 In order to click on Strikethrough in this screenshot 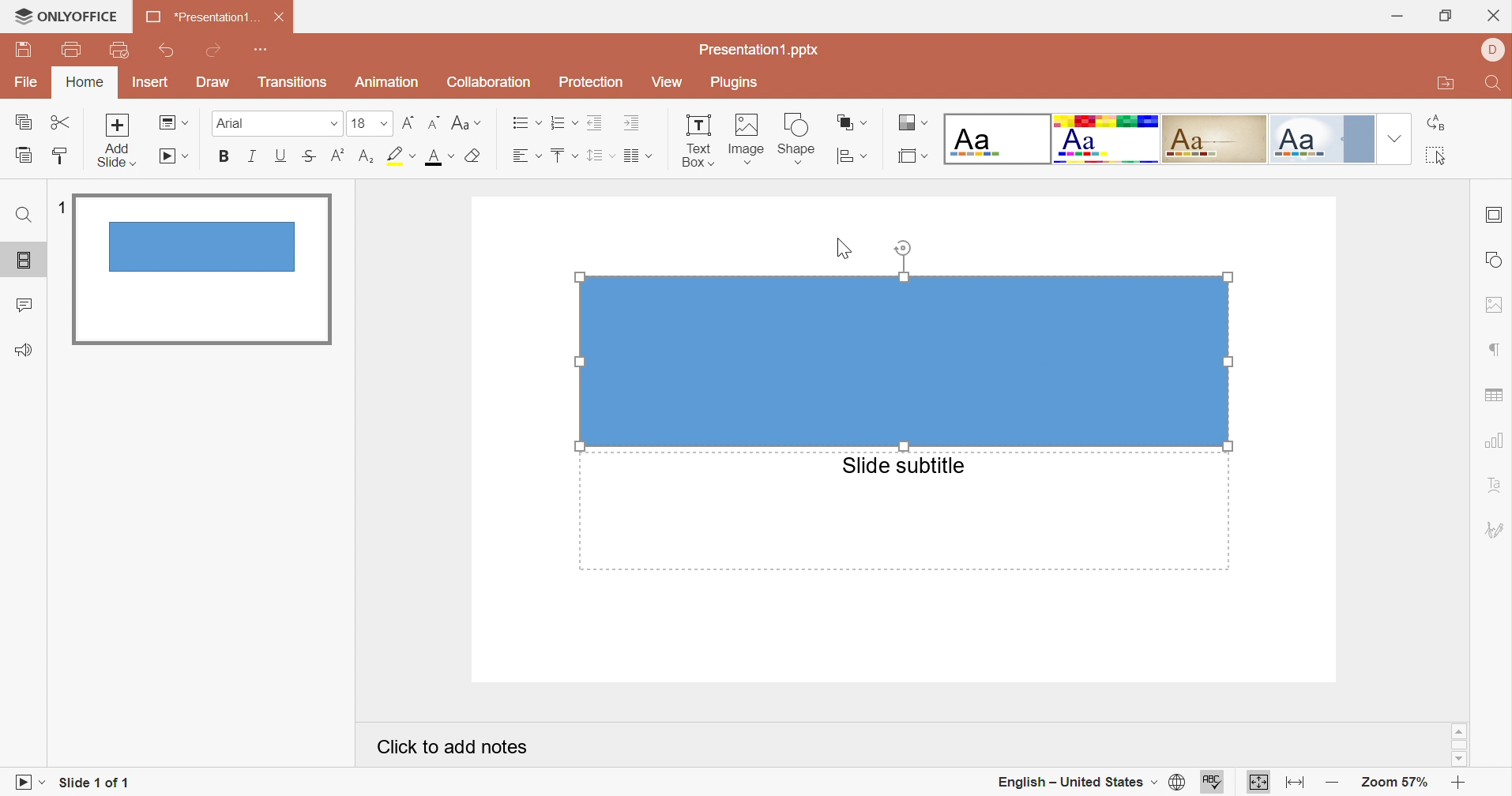, I will do `click(308, 158)`.